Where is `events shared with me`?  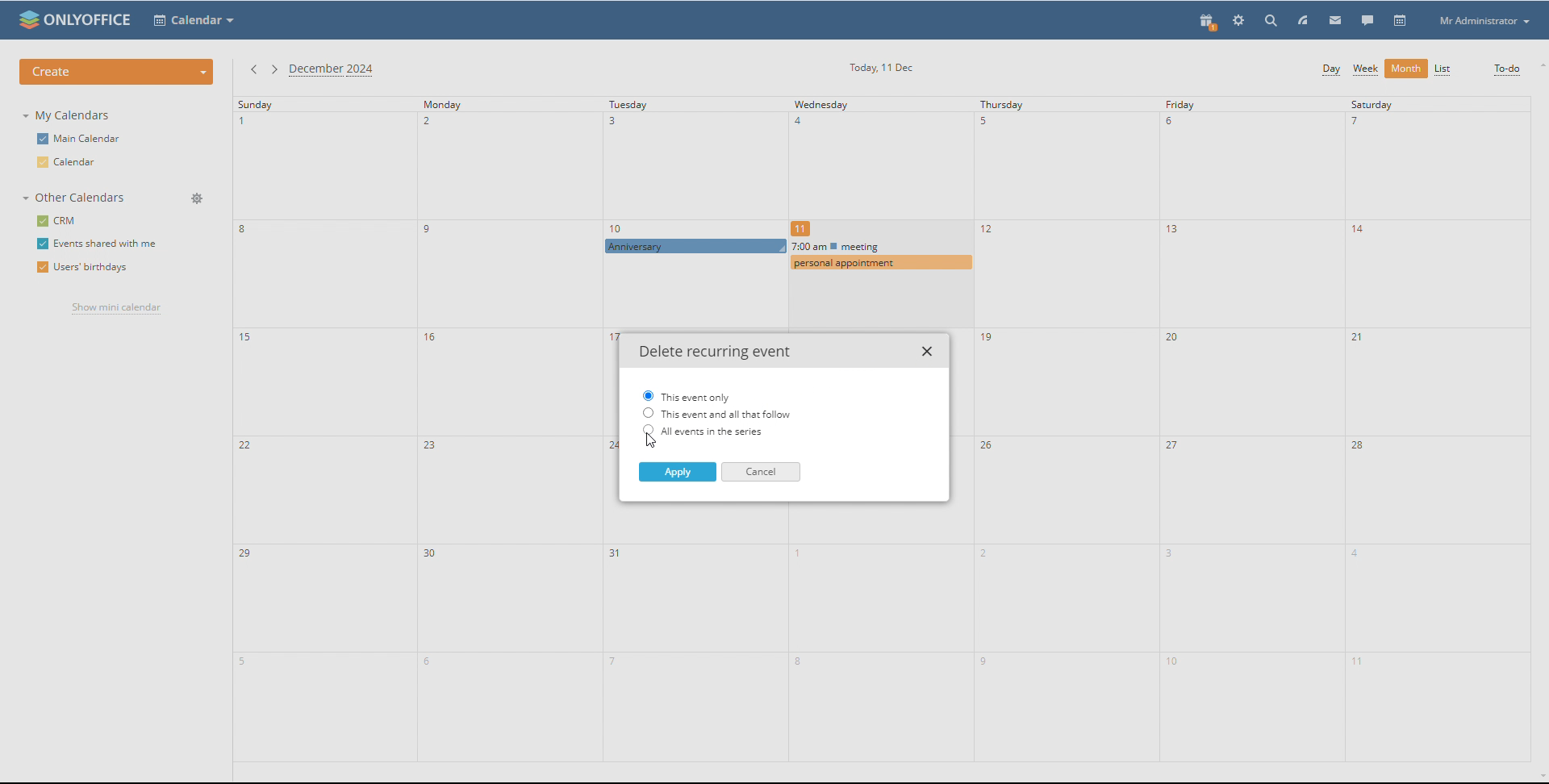
events shared with me is located at coordinates (99, 244).